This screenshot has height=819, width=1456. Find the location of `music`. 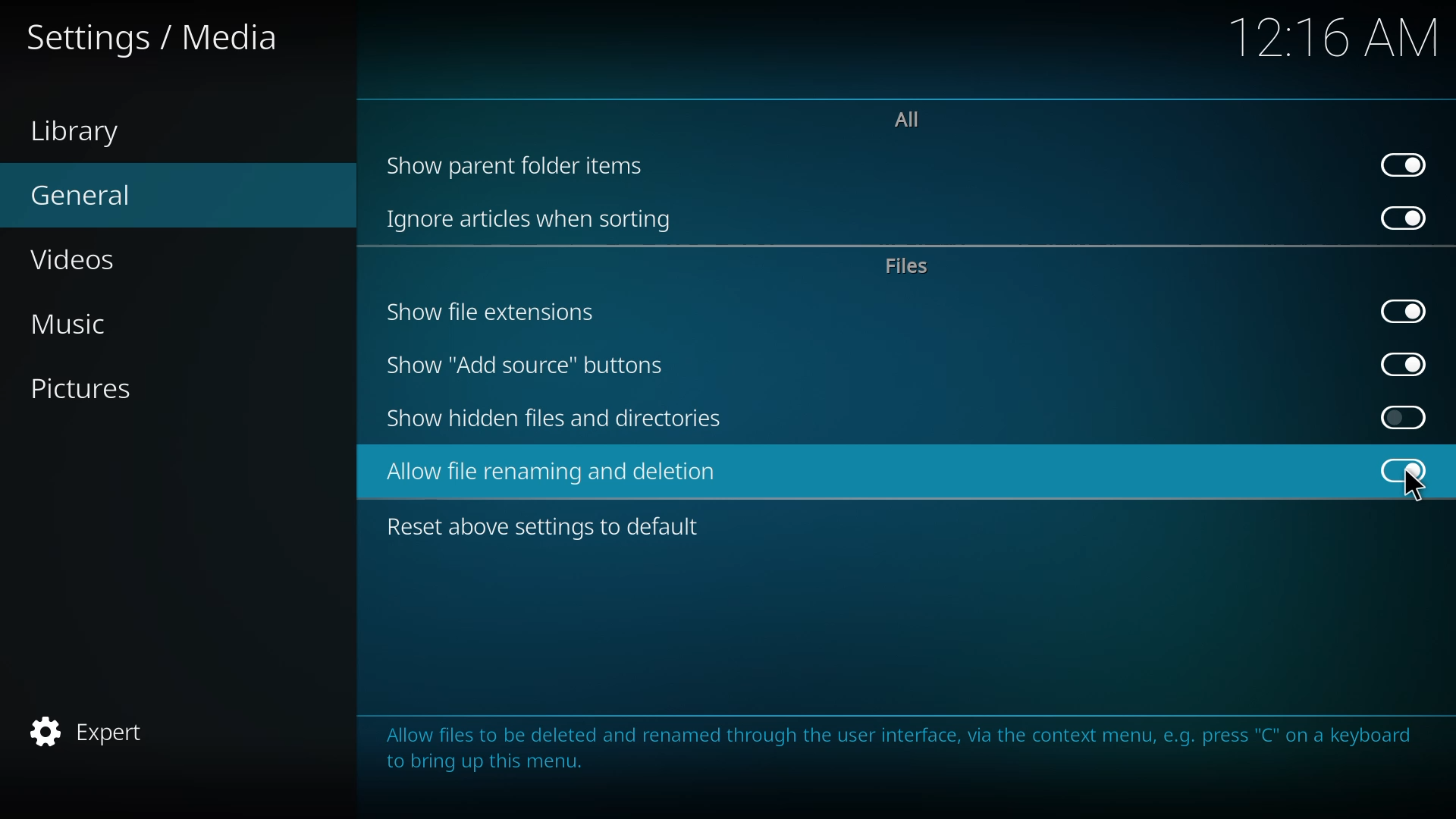

music is located at coordinates (77, 322).